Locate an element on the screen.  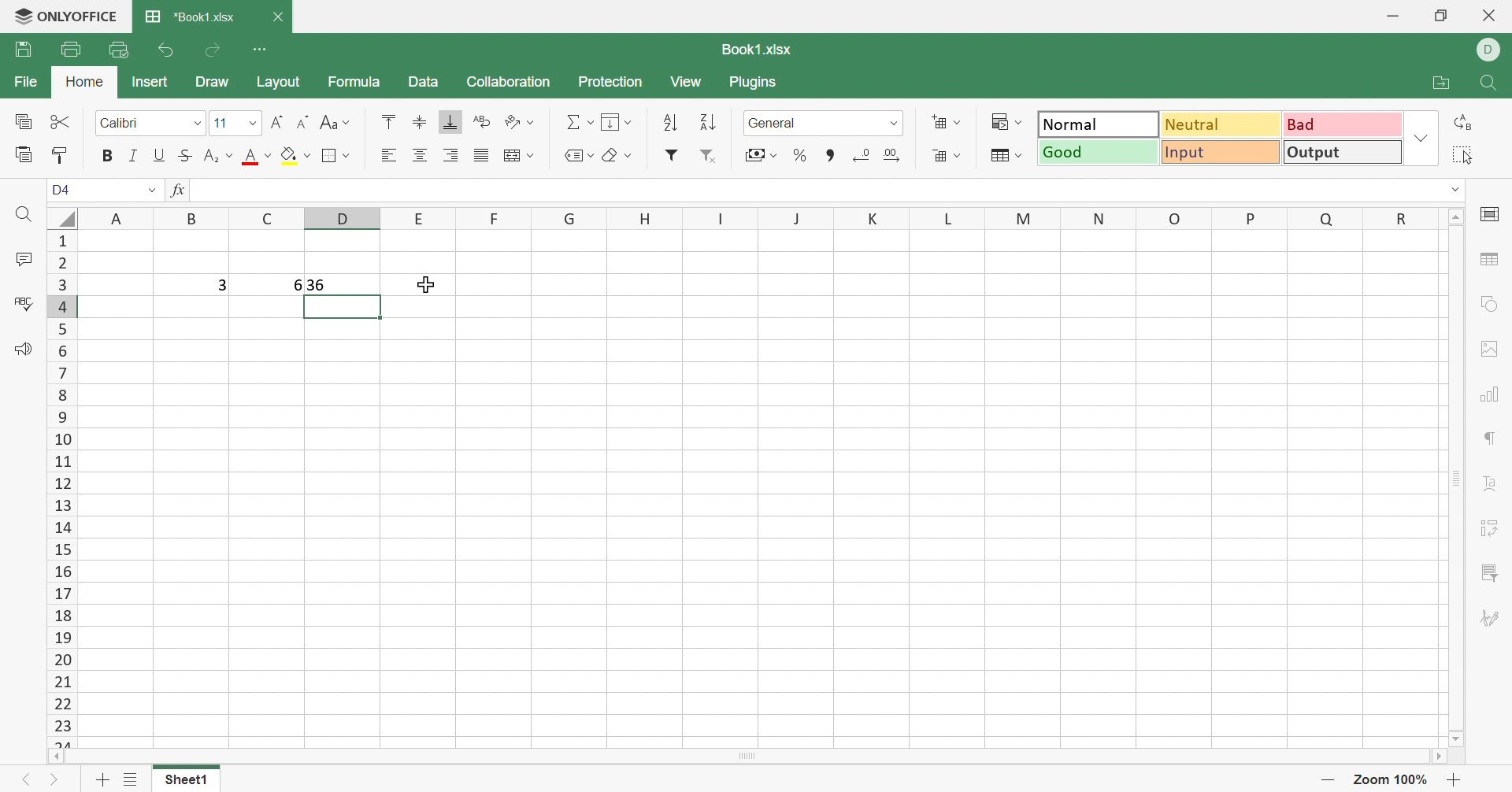
Book1.xlsx is located at coordinates (755, 48).